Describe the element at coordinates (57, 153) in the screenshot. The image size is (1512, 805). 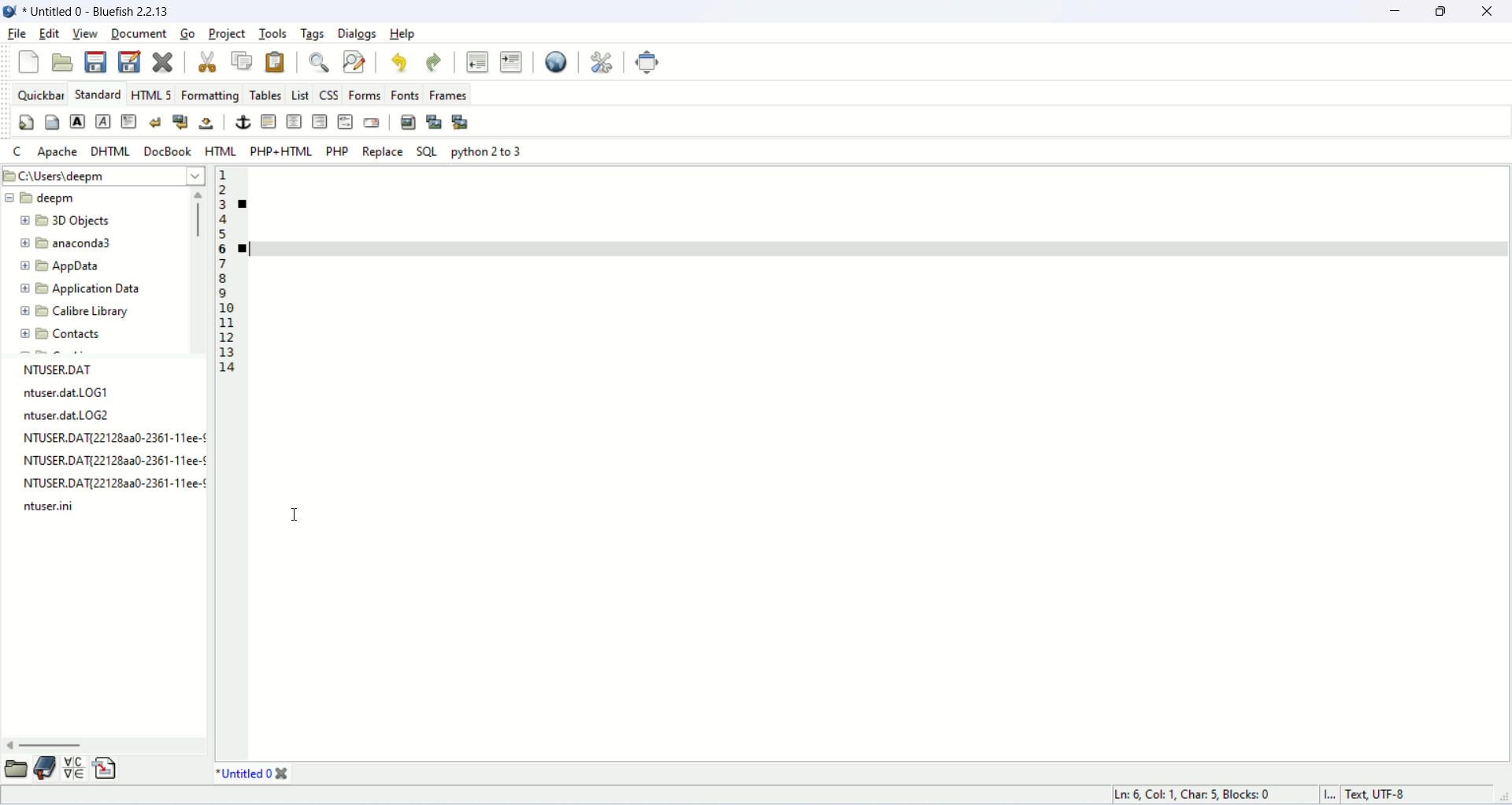
I see `Apache` at that location.